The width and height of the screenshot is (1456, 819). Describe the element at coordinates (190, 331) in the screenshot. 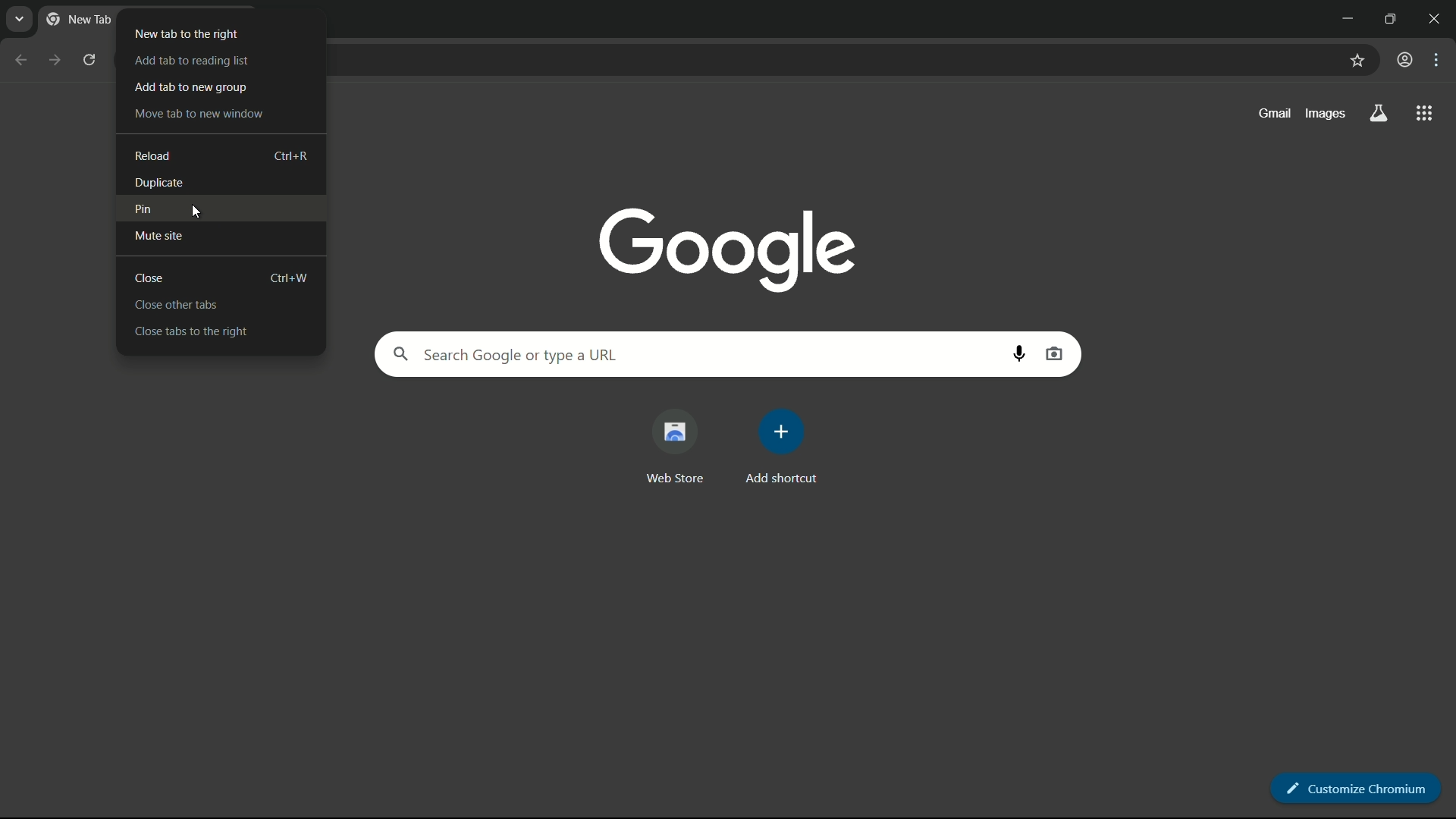

I see `close tab to the right` at that location.